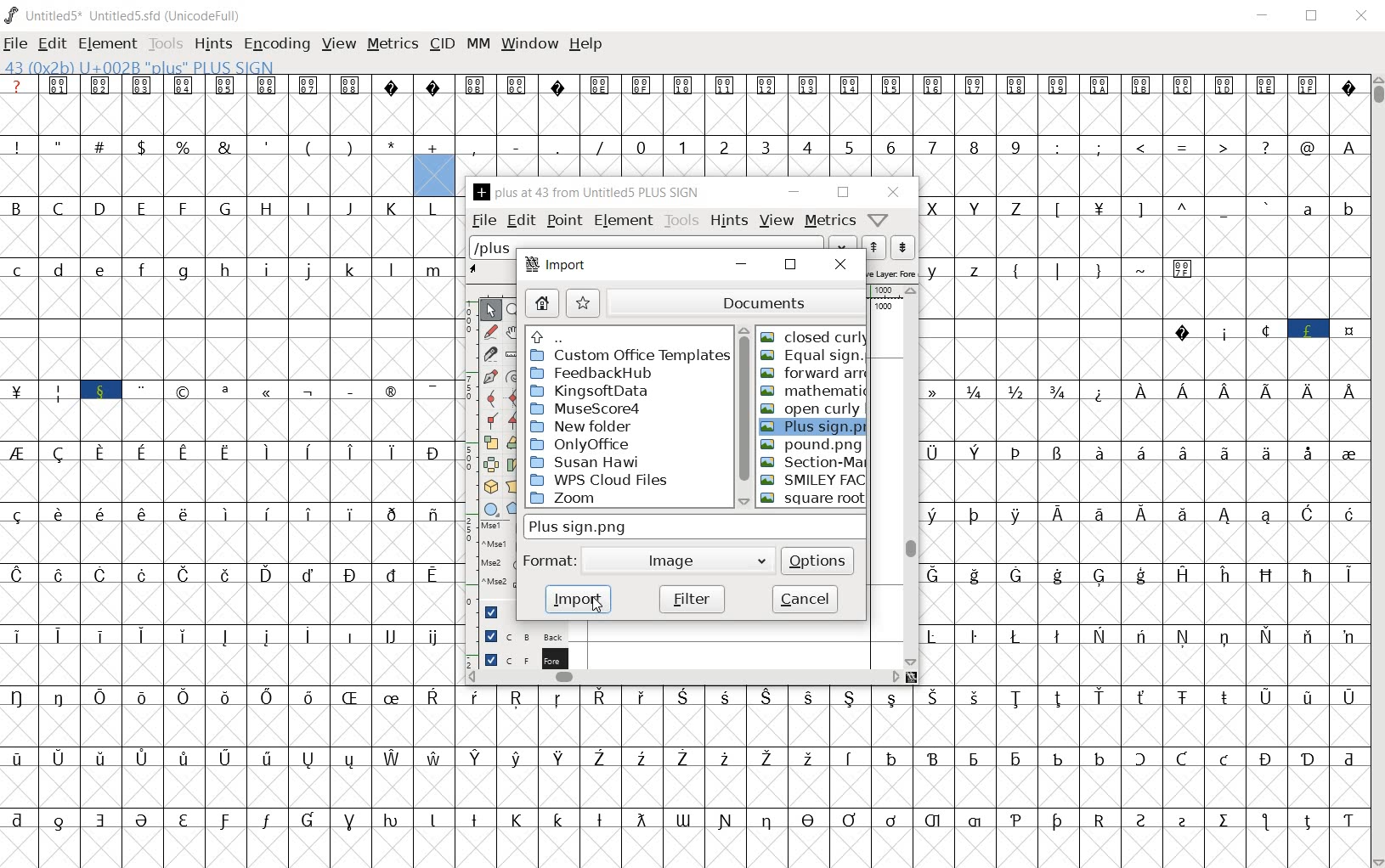 Image resolution: width=1385 pixels, height=868 pixels. Describe the element at coordinates (483, 221) in the screenshot. I see `file` at that location.